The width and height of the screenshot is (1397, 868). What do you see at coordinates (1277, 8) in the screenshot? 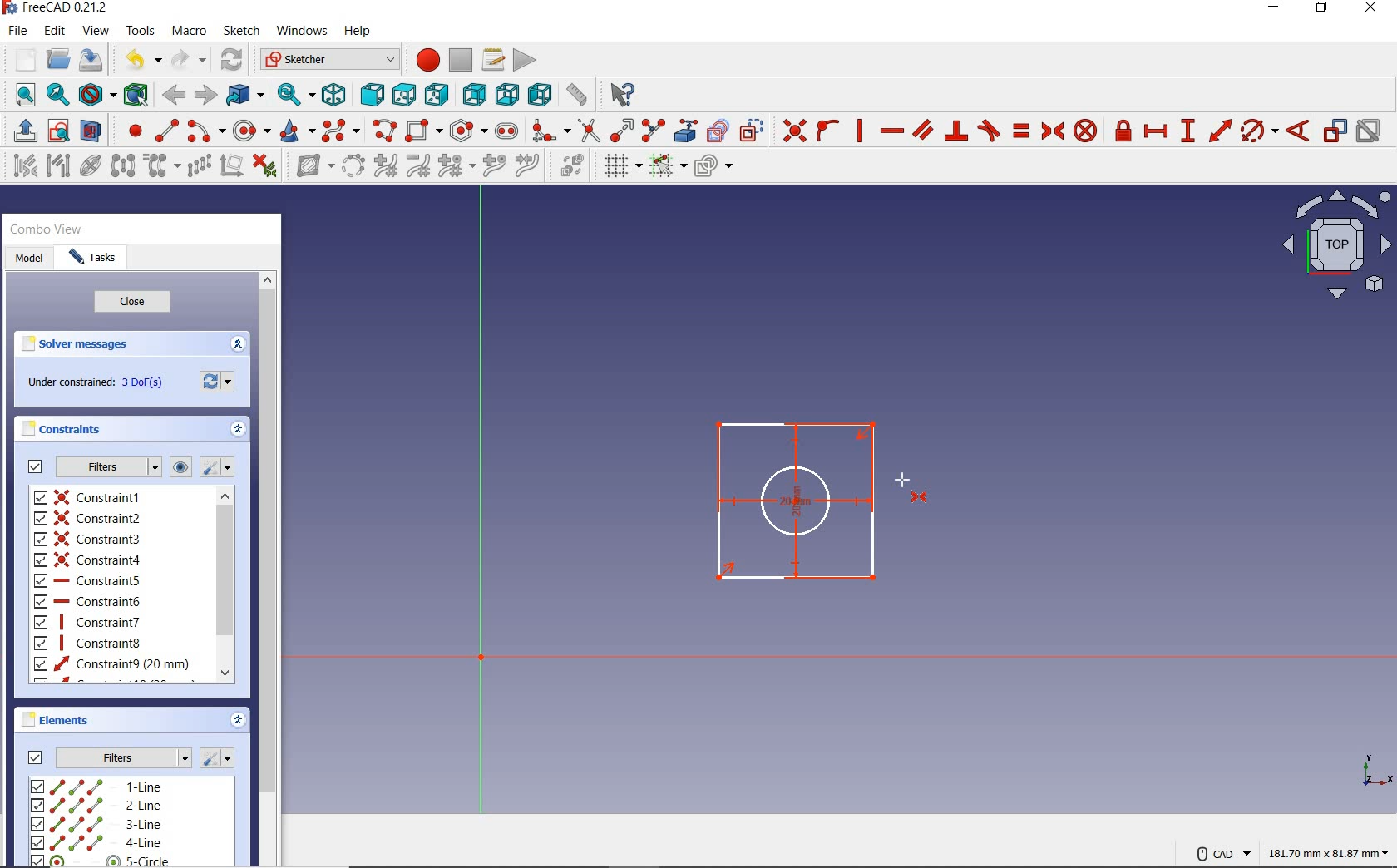
I see `minimize` at bounding box center [1277, 8].